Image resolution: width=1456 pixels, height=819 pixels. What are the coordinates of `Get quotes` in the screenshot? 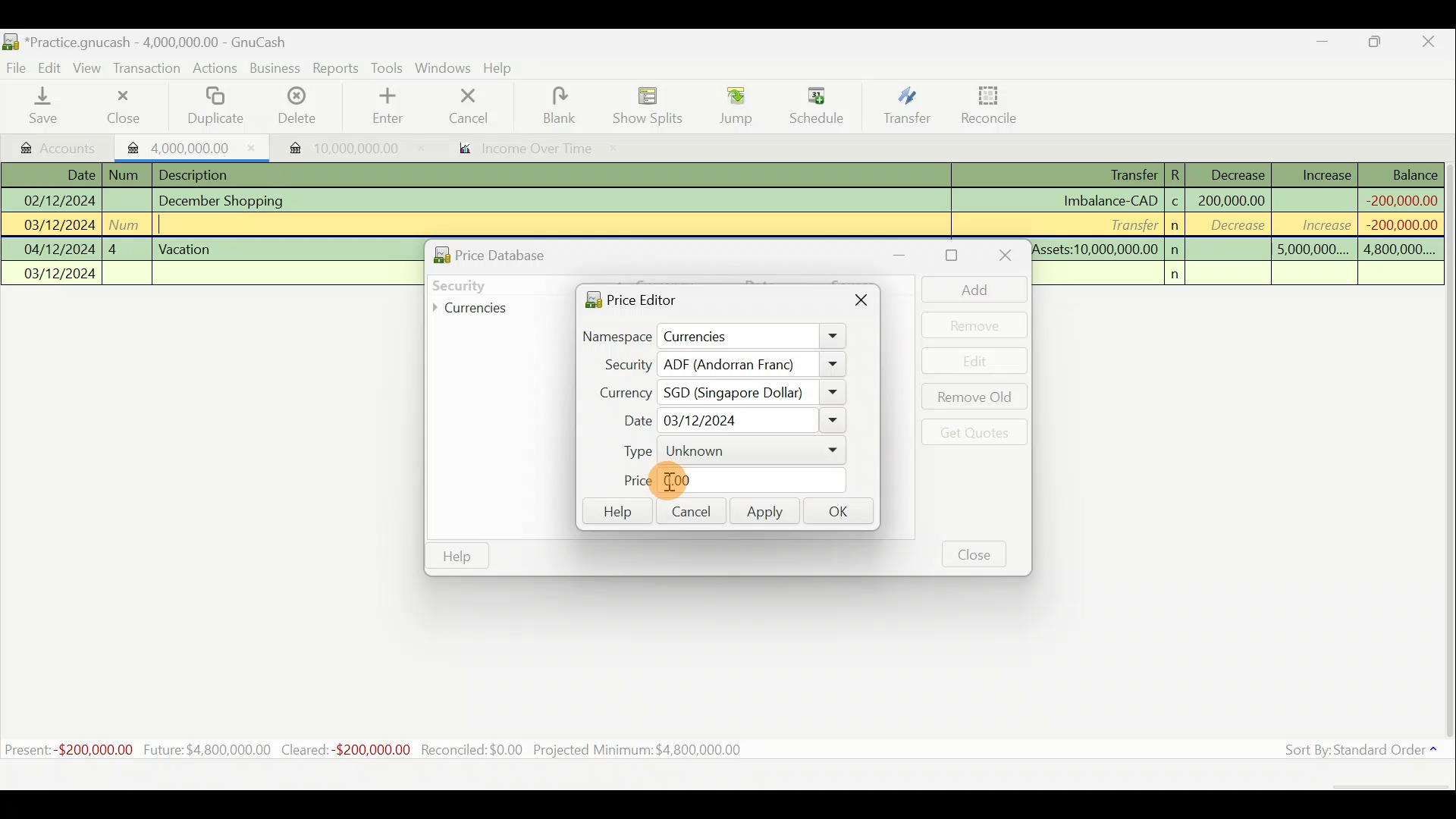 It's located at (971, 431).